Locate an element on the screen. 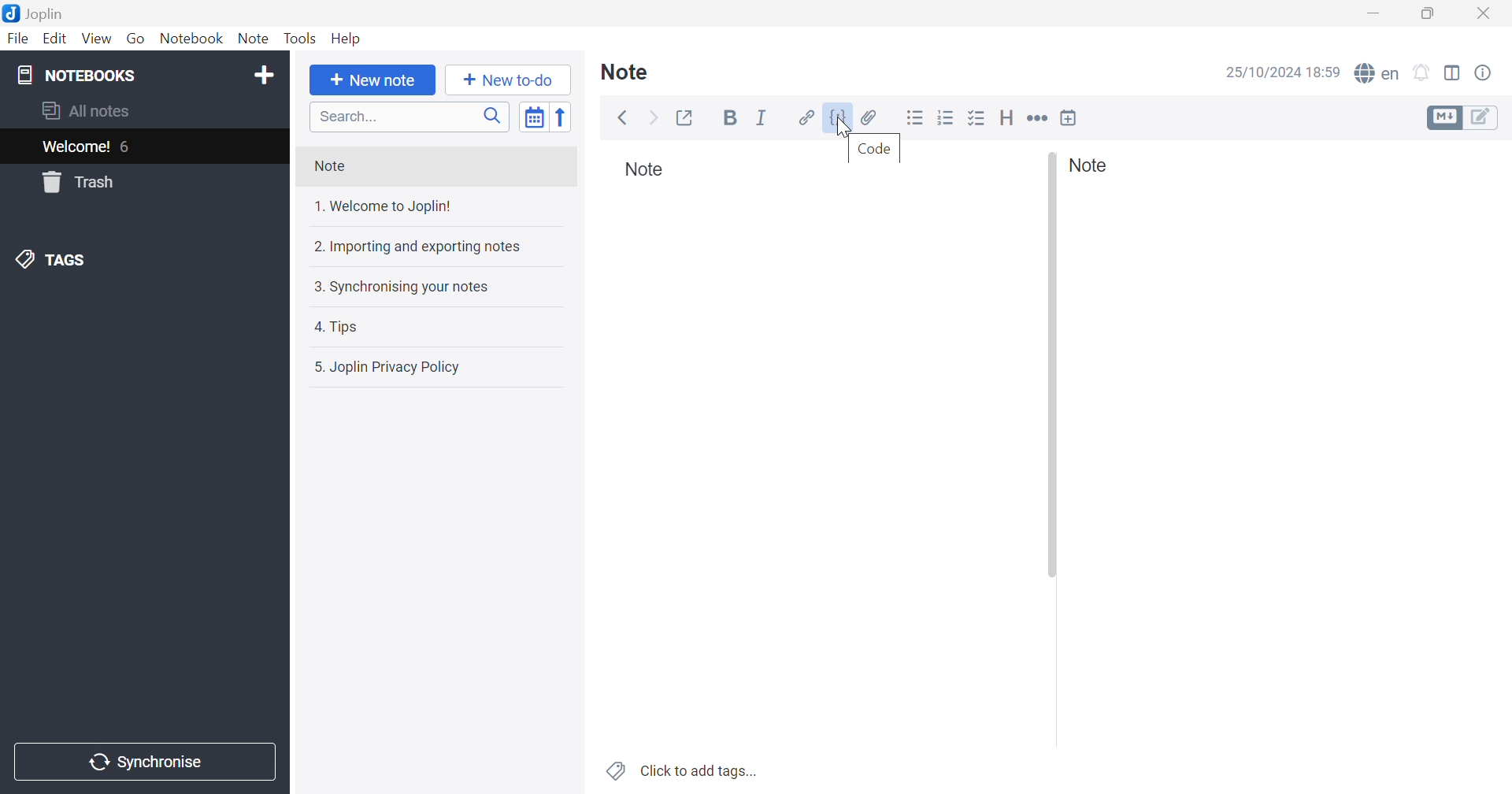 Image resolution: width=1512 pixels, height=794 pixels. All notes is located at coordinates (93, 110).